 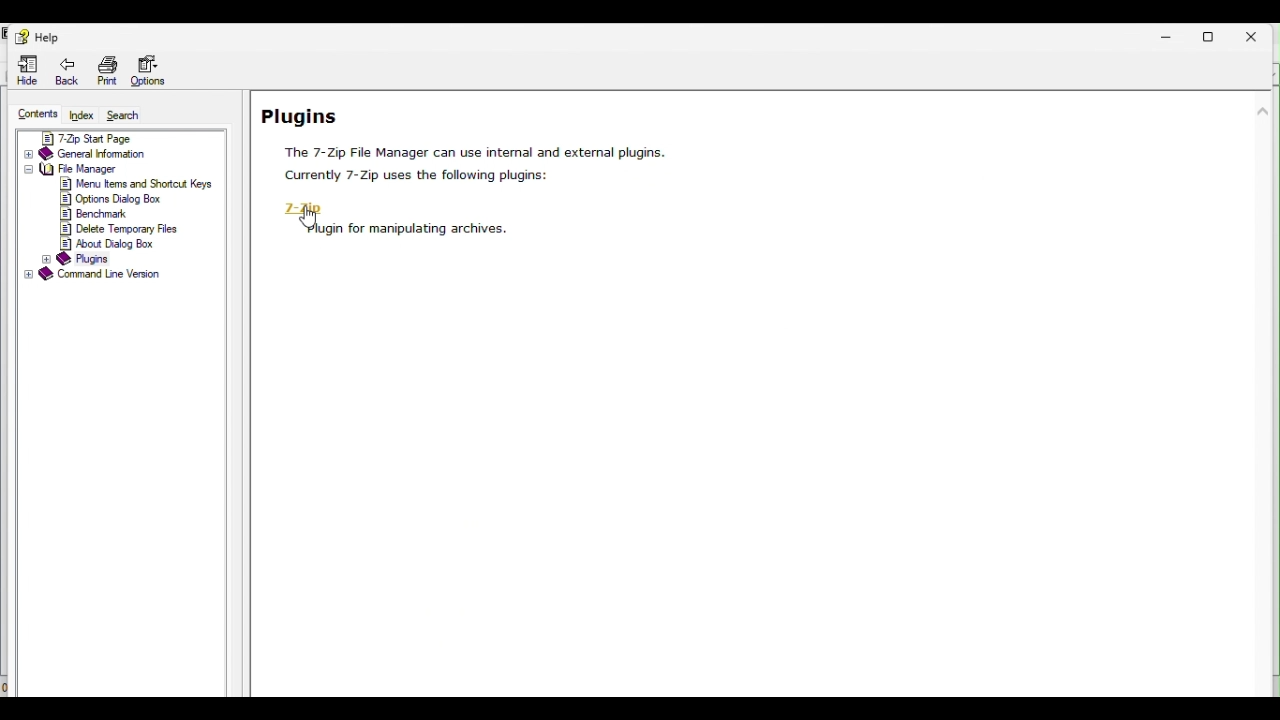 I want to click on plugins, so click(x=91, y=258).